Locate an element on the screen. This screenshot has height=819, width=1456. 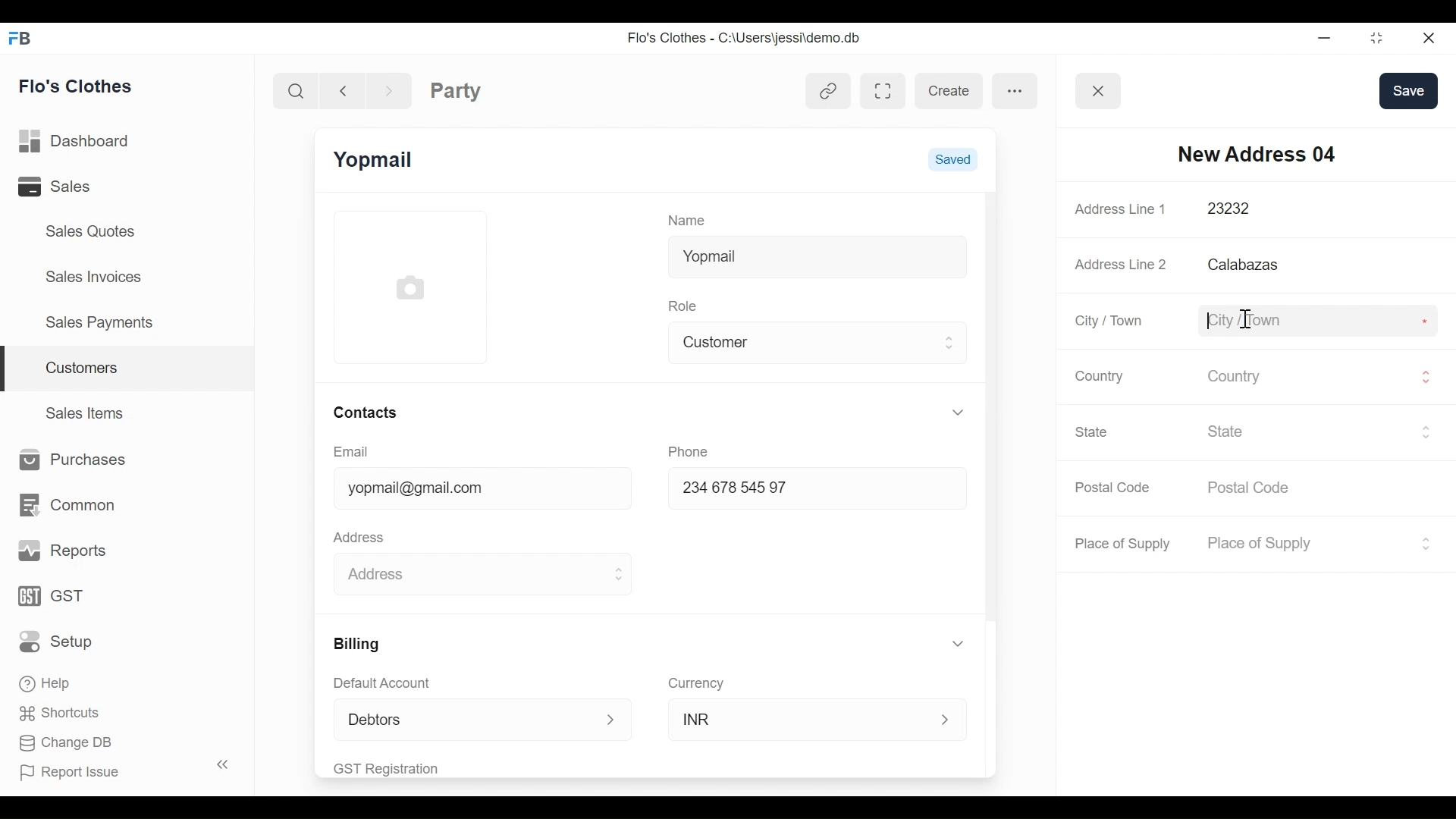
Search is located at coordinates (299, 90).